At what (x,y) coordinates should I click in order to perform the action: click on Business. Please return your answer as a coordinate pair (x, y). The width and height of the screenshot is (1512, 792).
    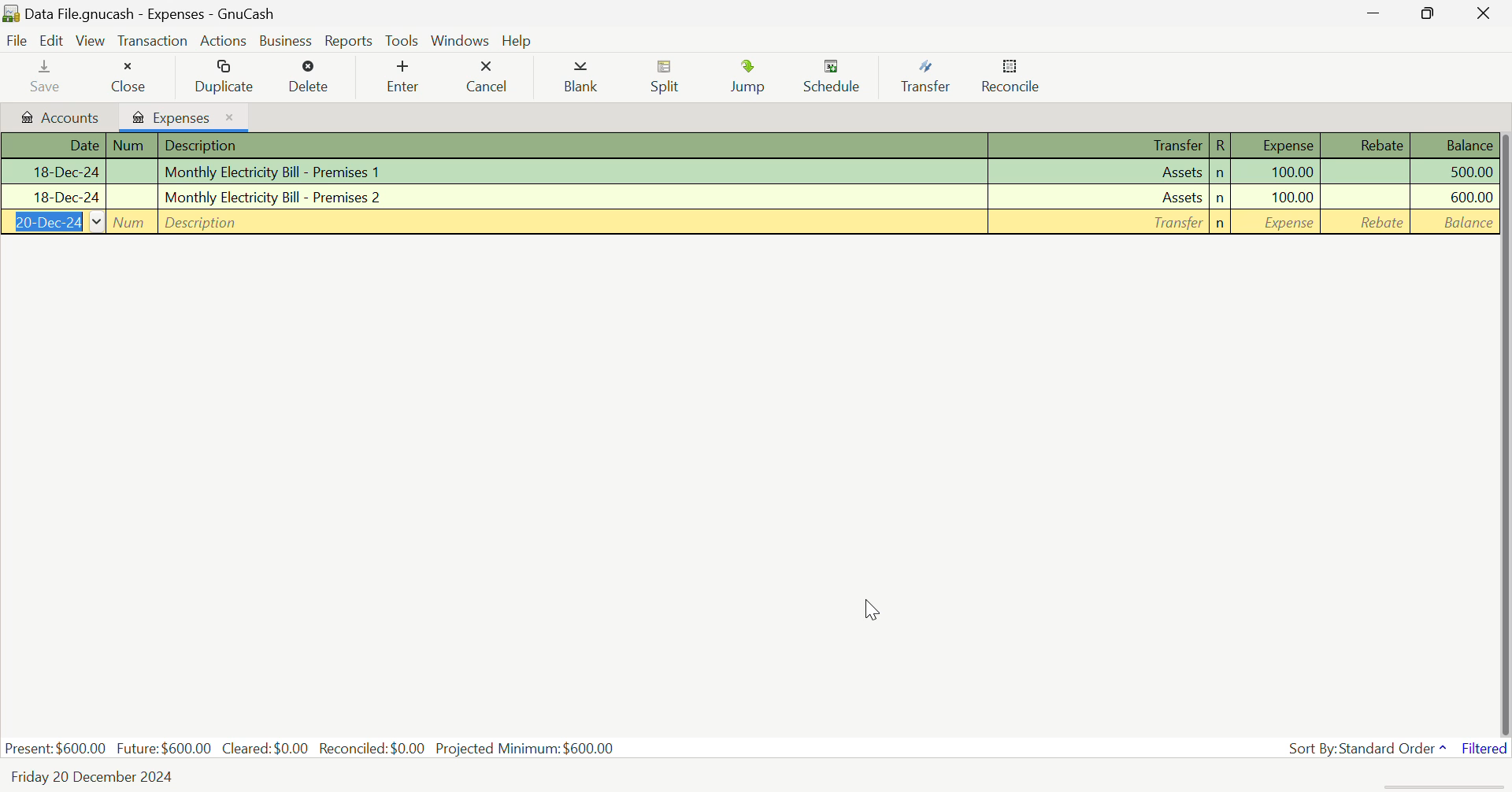
    Looking at the image, I should click on (287, 41).